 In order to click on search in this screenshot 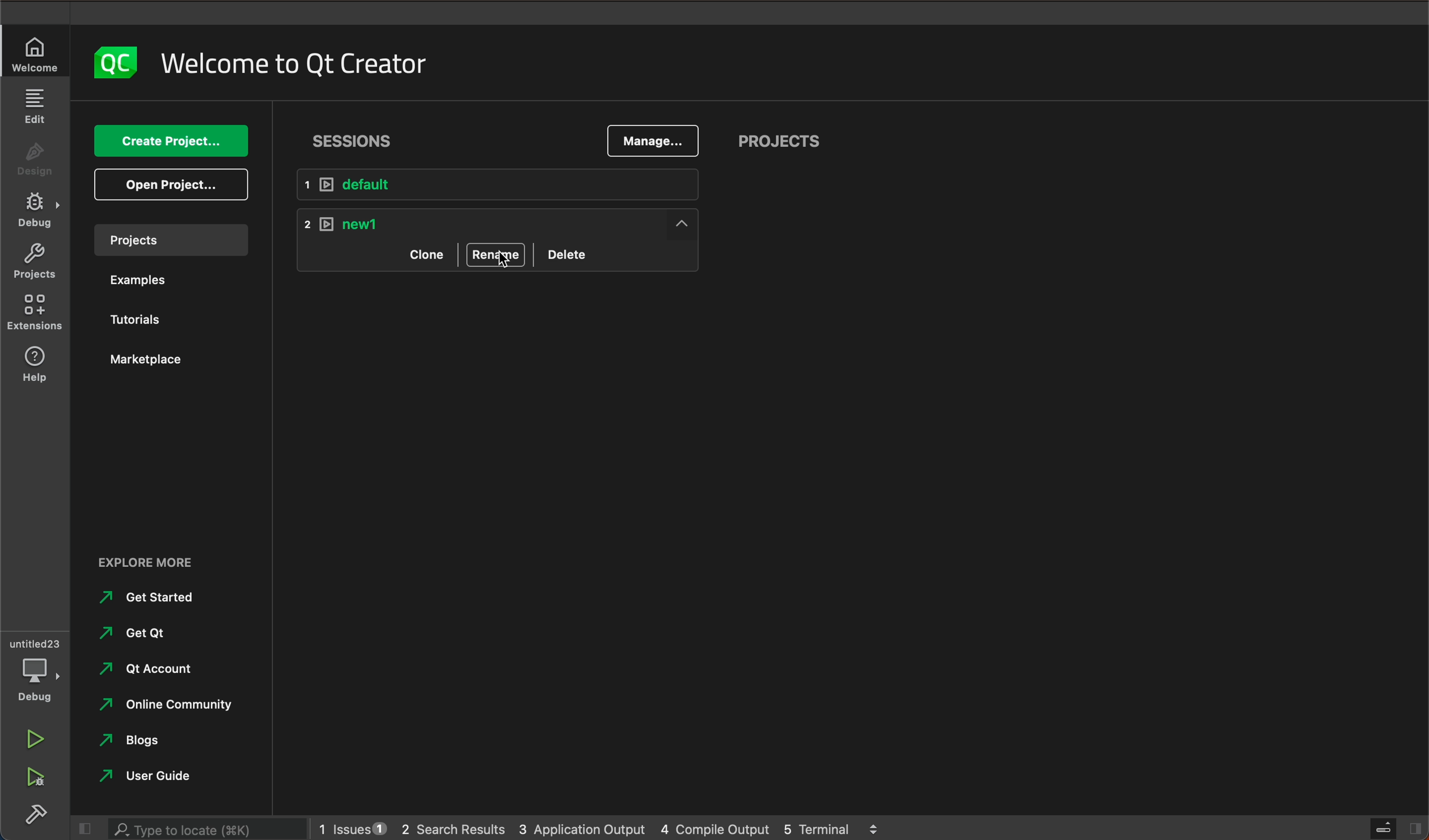, I will do `click(204, 830)`.